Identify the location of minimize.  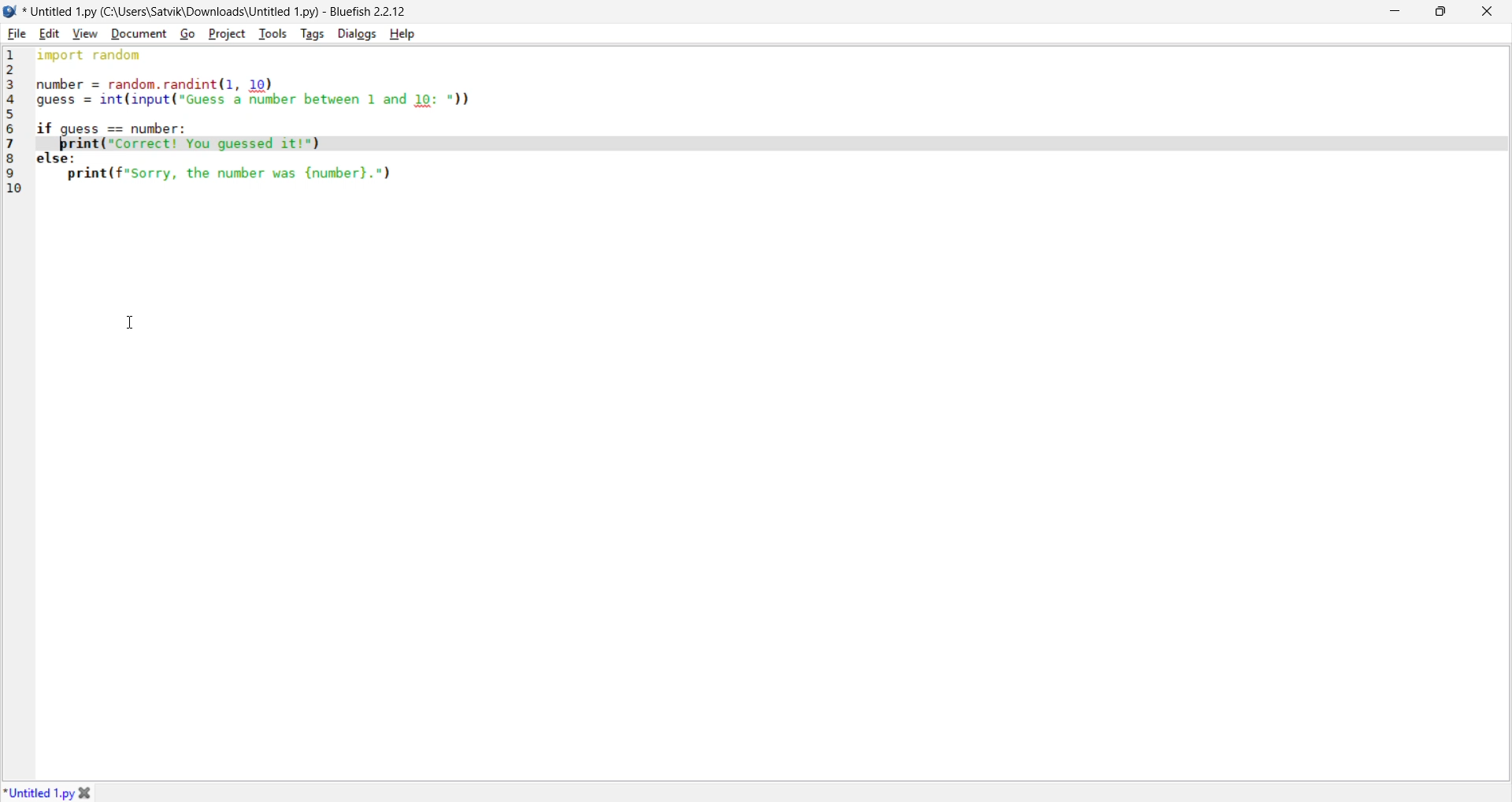
(1393, 13).